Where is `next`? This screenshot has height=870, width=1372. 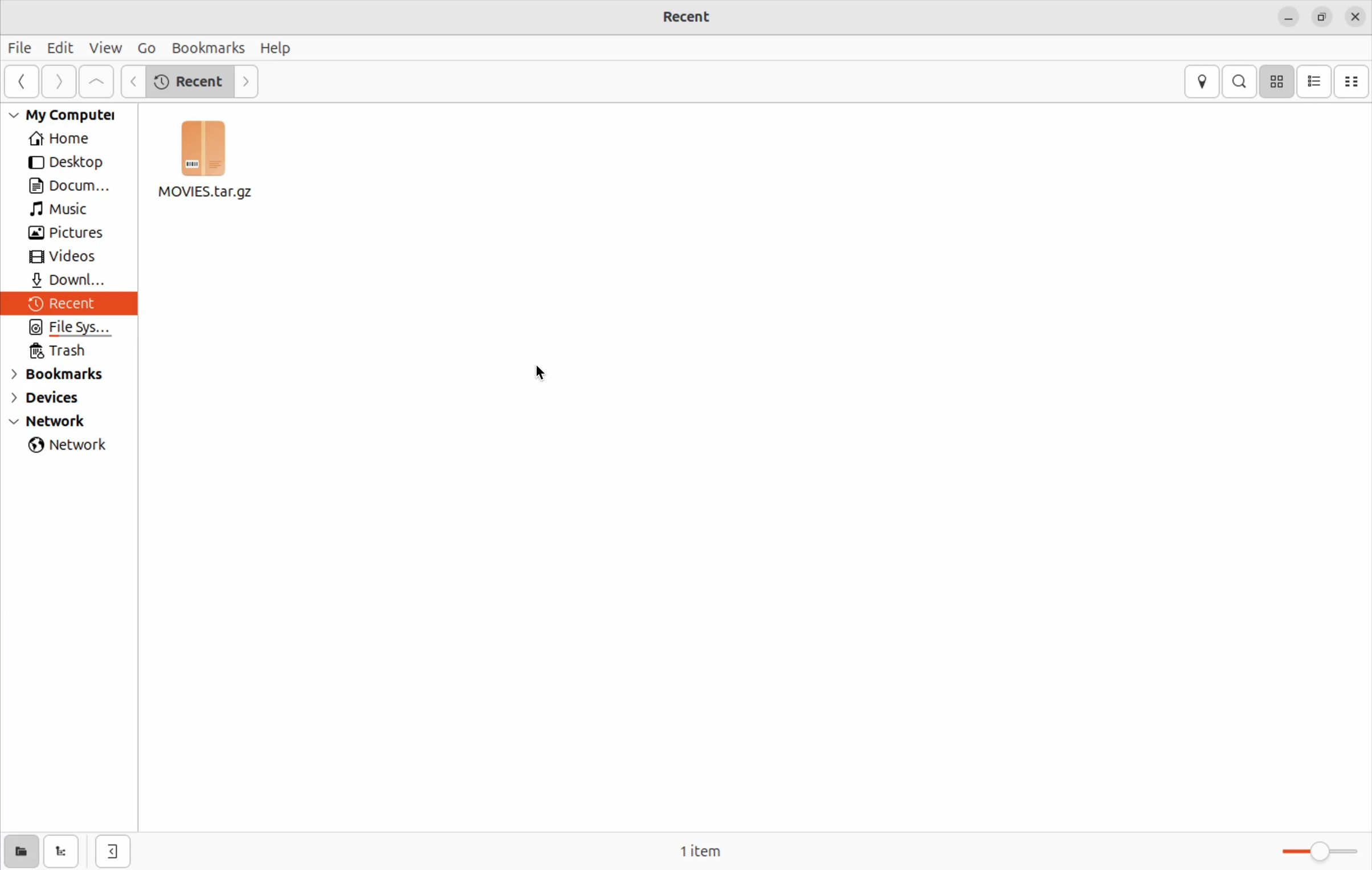 next is located at coordinates (63, 80).